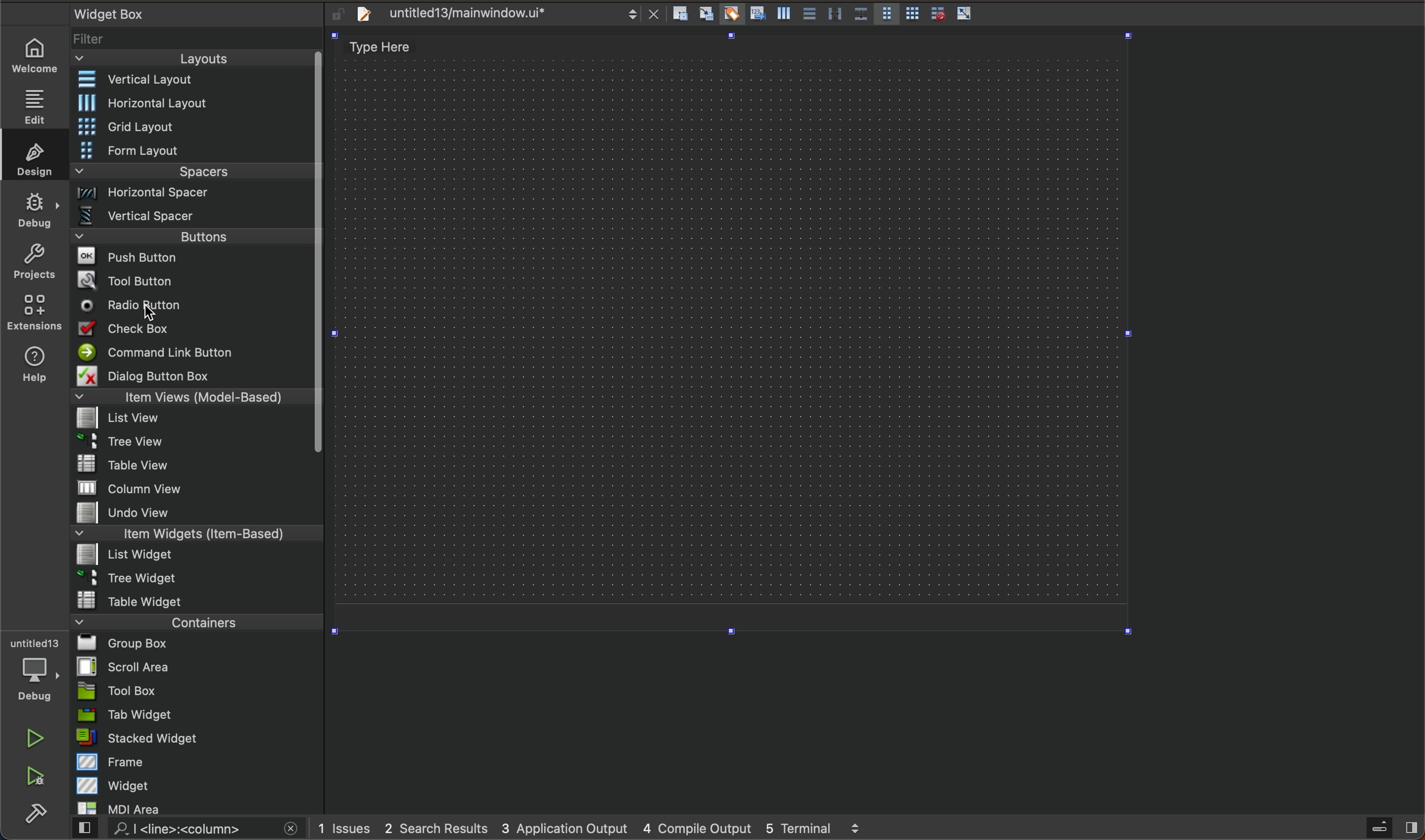 The image size is (1425, 840). What do you see at coordinates (194, 601) in the screenshot?
I see `table widget` at bounding box center [194, 601].